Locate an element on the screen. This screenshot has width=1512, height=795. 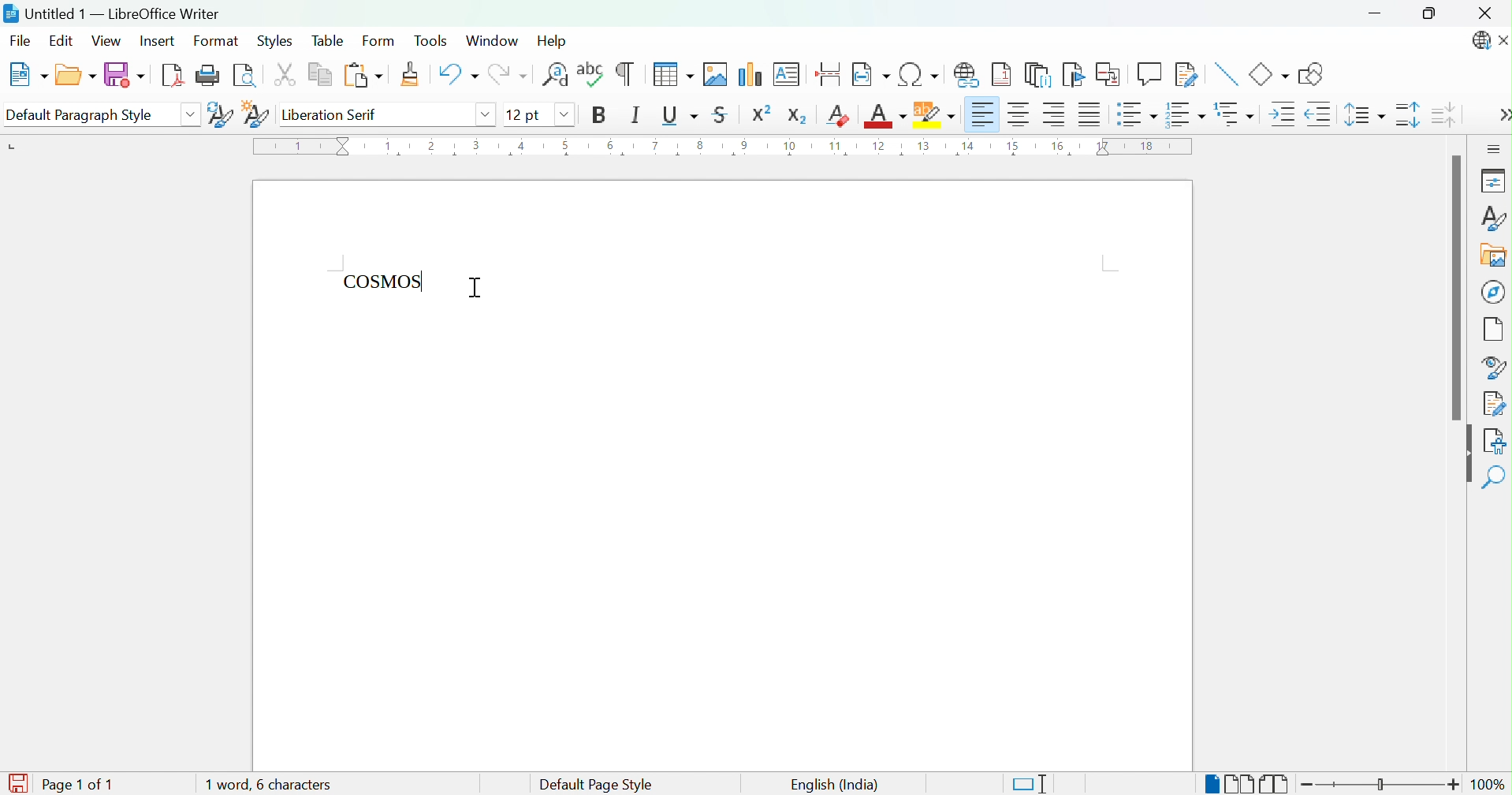
Standard selection. Click to change the selection mode. is located at coordinates (1030, 784).